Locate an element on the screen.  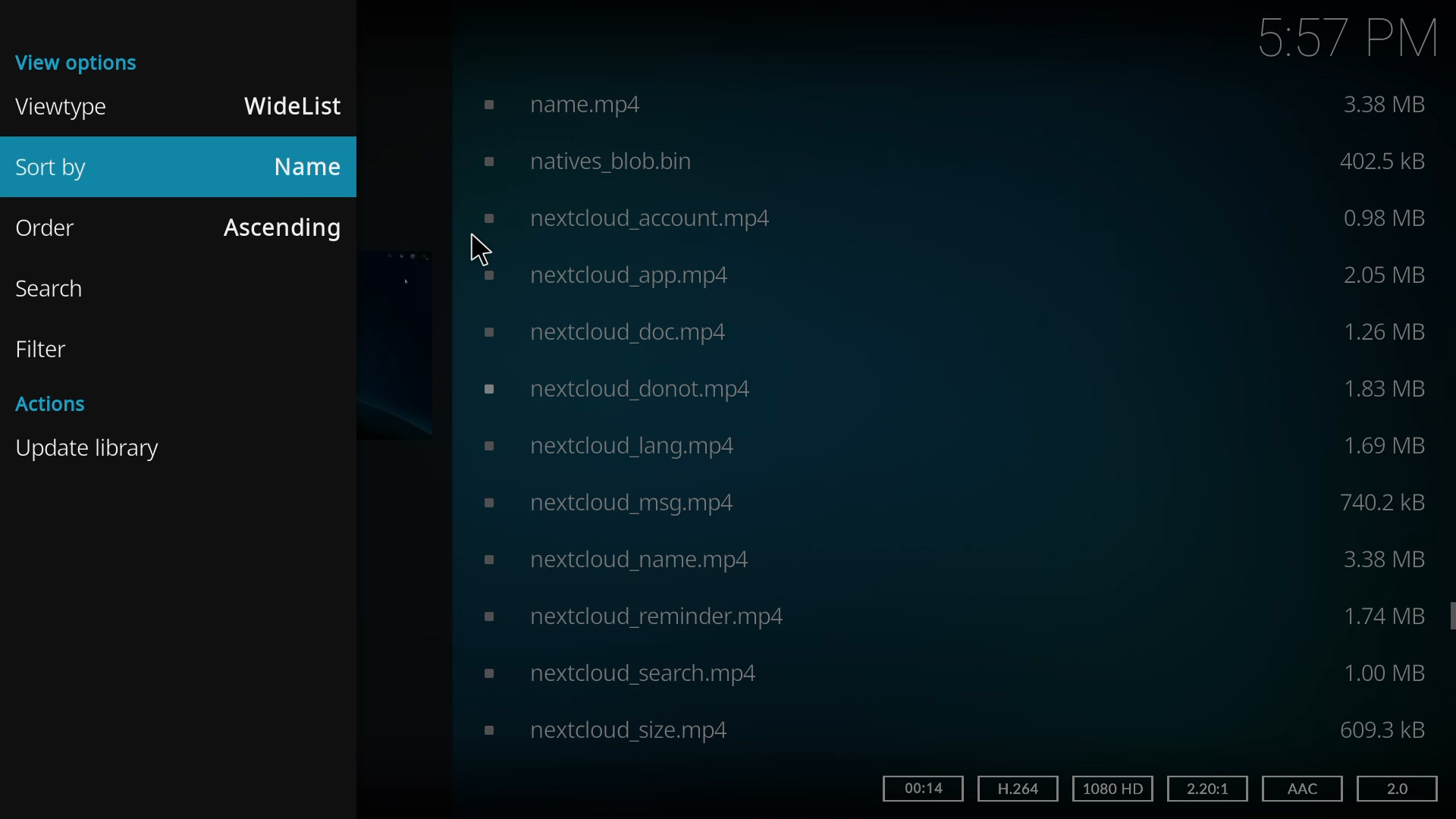
video is located at coordinates (613, 673).